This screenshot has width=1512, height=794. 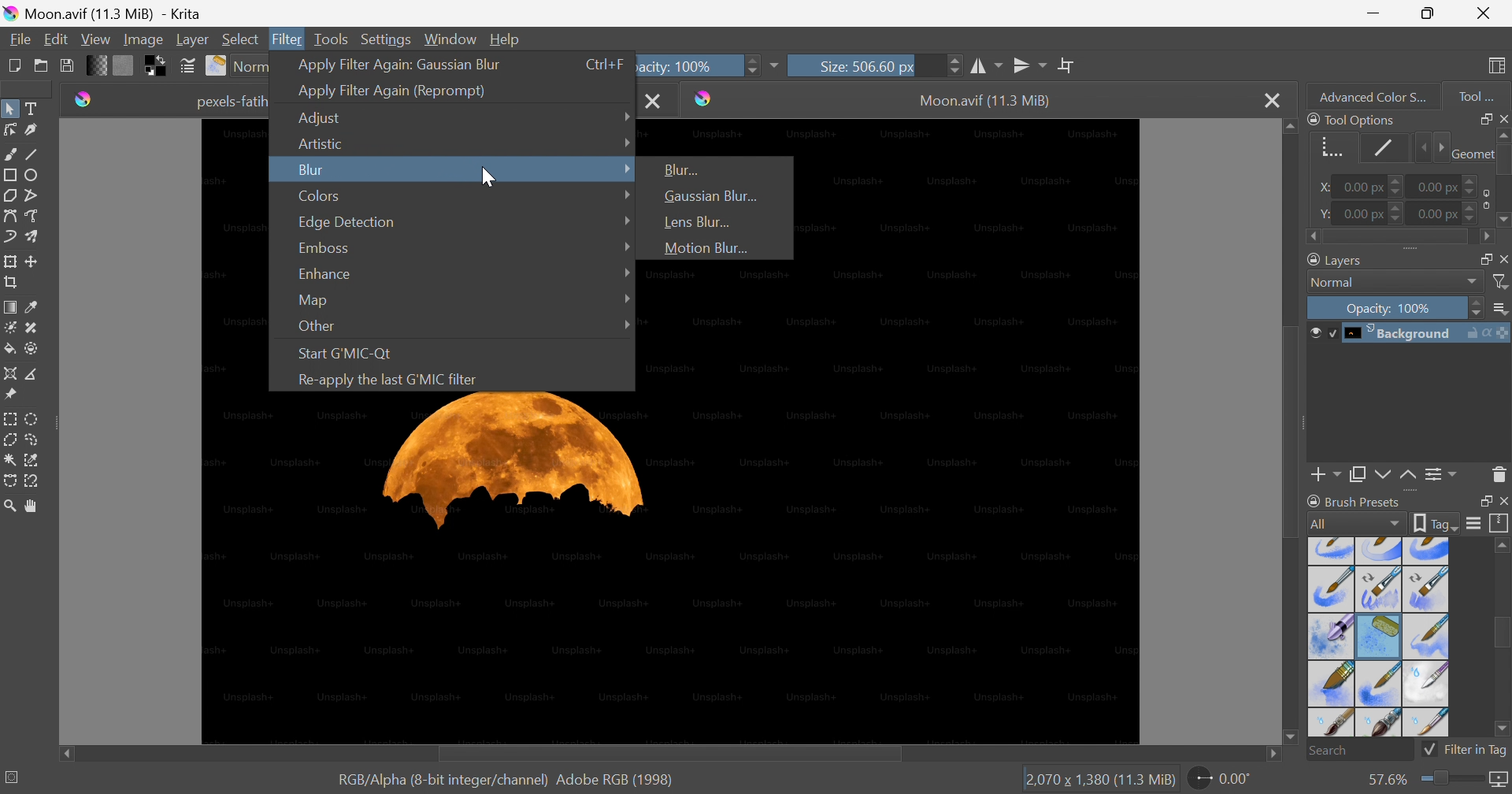 What do you see at coordinates (1486, 237) in the screenshot?
I see `Scroll right` at bounding box center [1486, 237].